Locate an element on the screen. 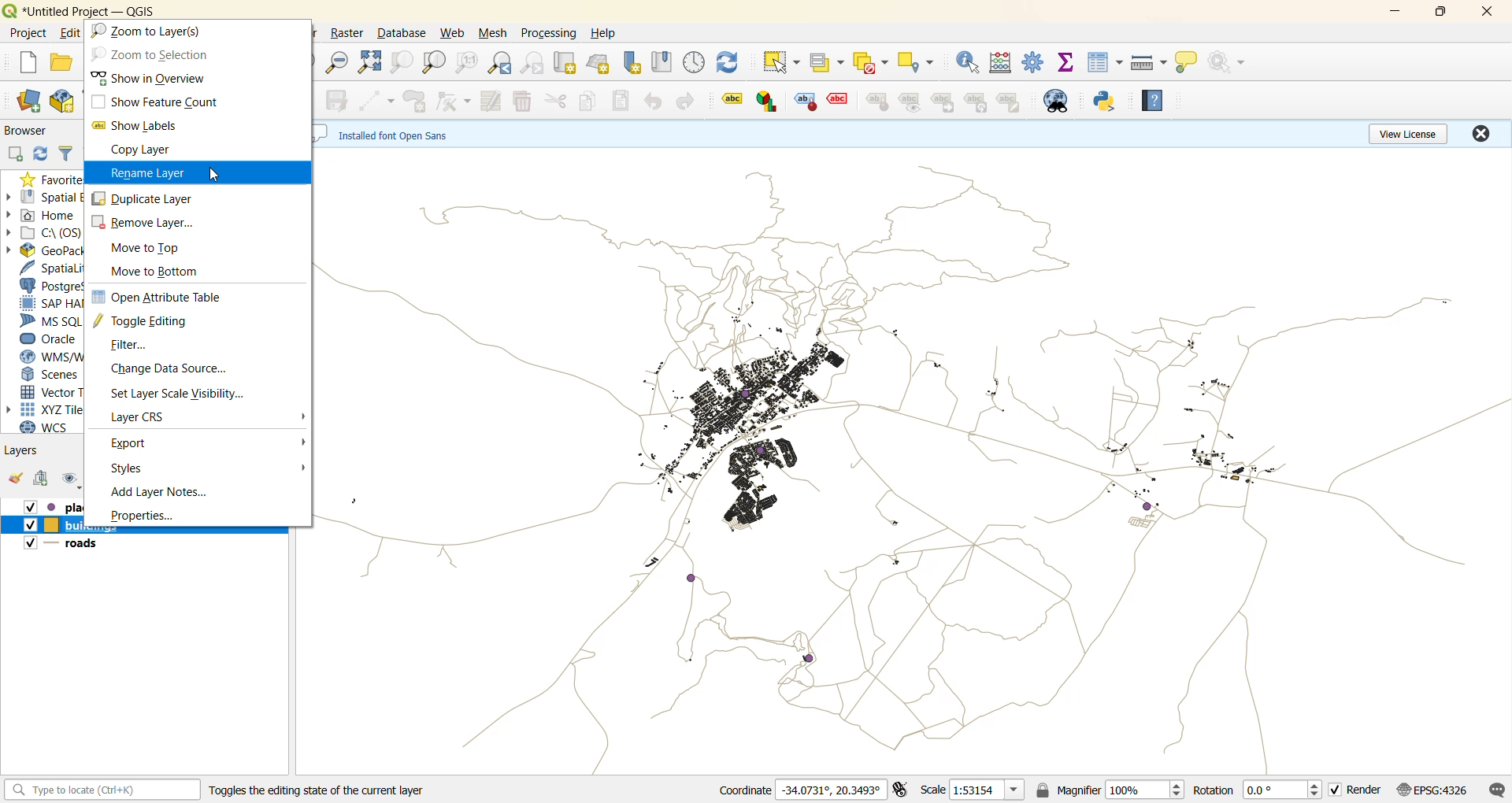  xyz tiles is located at coordinates (51, 410).